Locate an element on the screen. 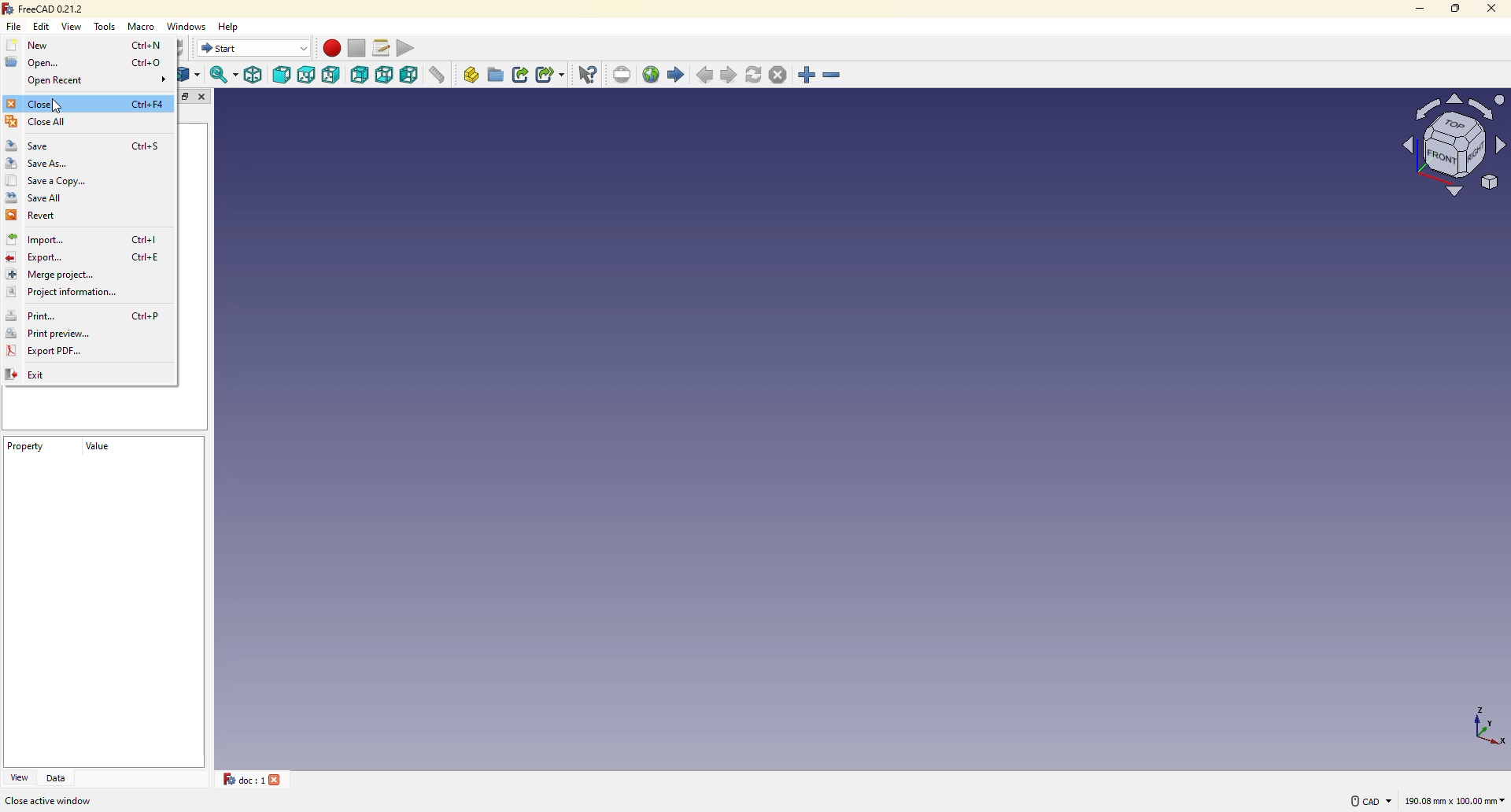 This screenshot has height=812, width=1511. view is located at coordinates (73, 26).